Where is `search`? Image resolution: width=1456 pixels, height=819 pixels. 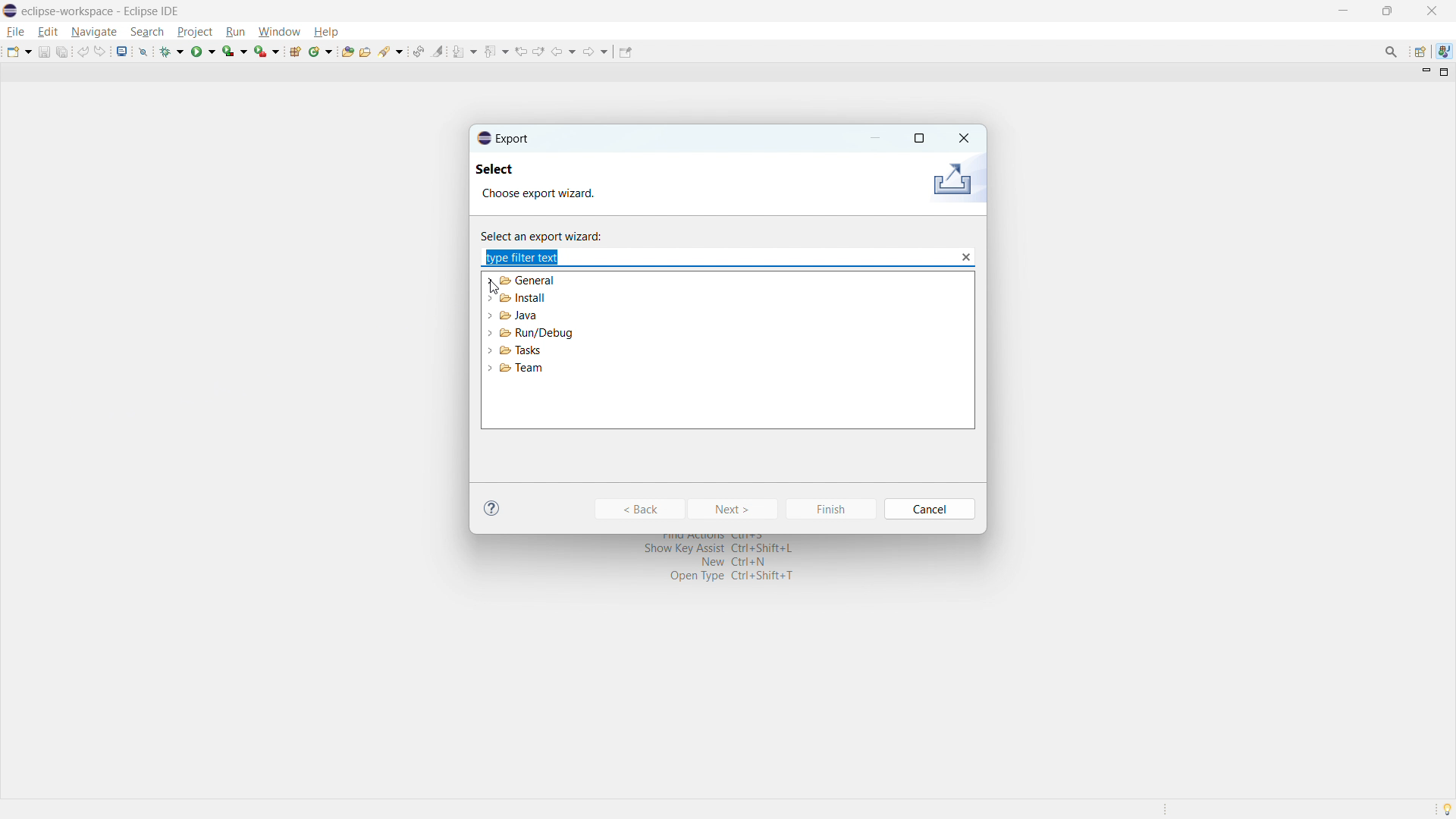 search is located at coordinates (391, 50).